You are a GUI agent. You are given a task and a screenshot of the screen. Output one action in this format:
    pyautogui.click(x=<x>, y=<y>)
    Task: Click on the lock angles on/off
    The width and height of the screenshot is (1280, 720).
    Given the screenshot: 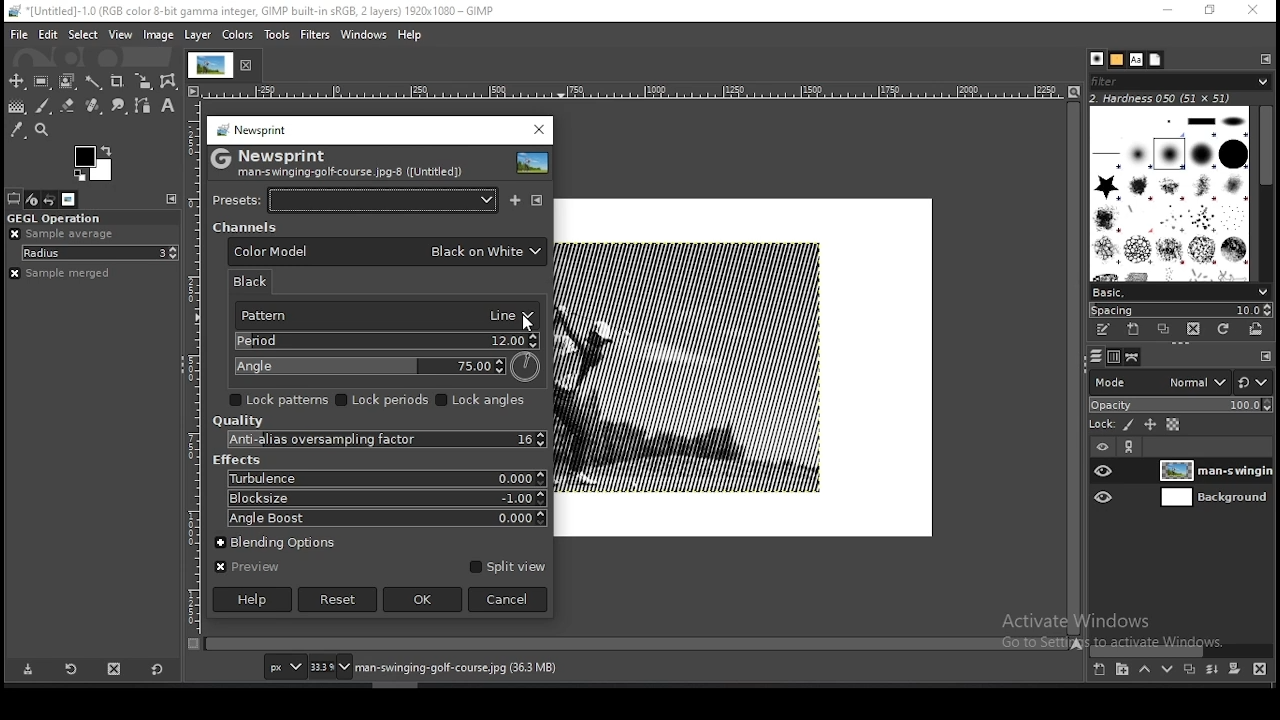 What is the action you would take?
    pyautogui.click(x=485, y=401)
    